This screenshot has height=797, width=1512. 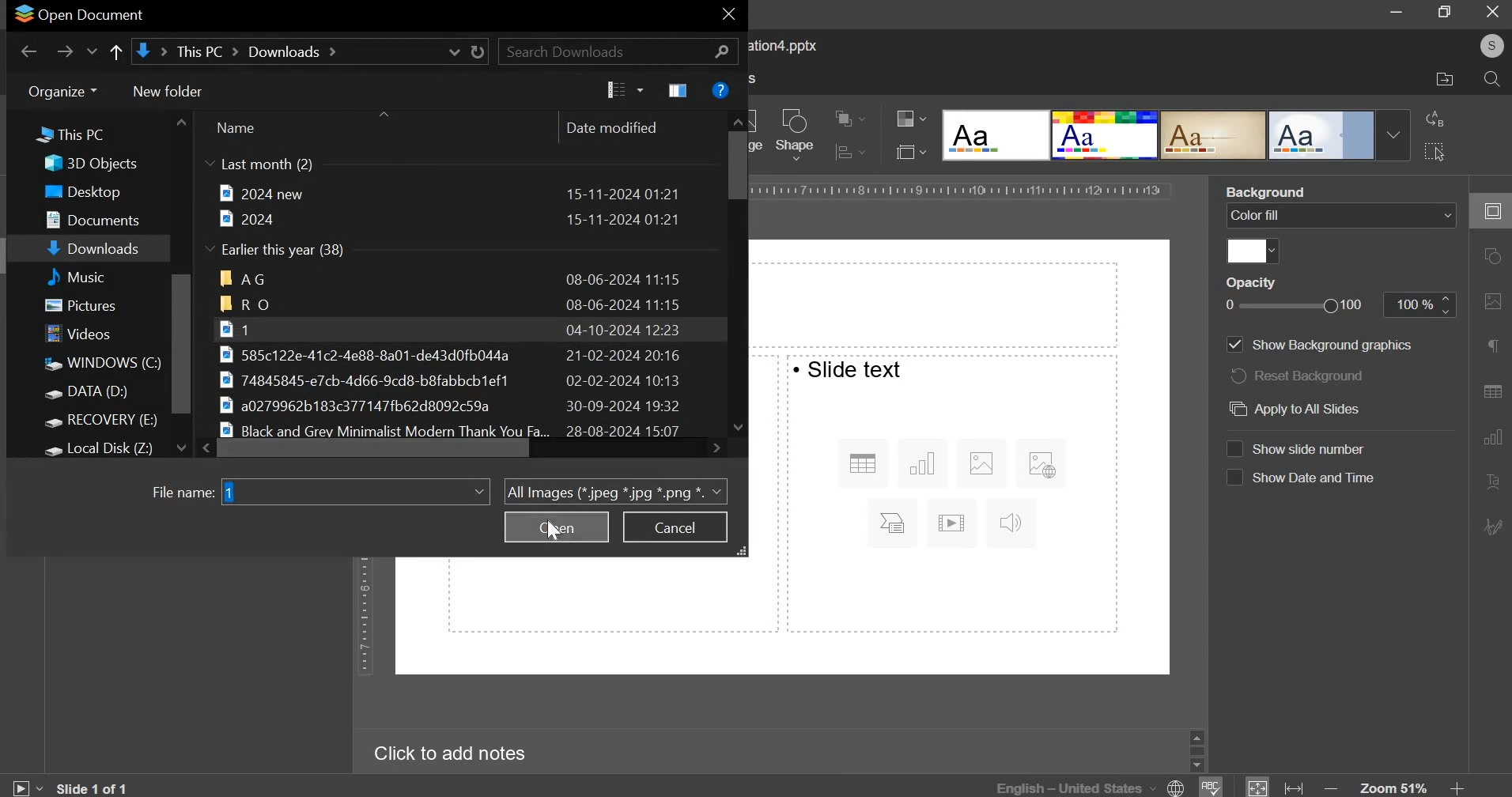 What do you see at coordinates (100, 217) in the screenshot?
I see `documents` at bounding box center [100, 217].